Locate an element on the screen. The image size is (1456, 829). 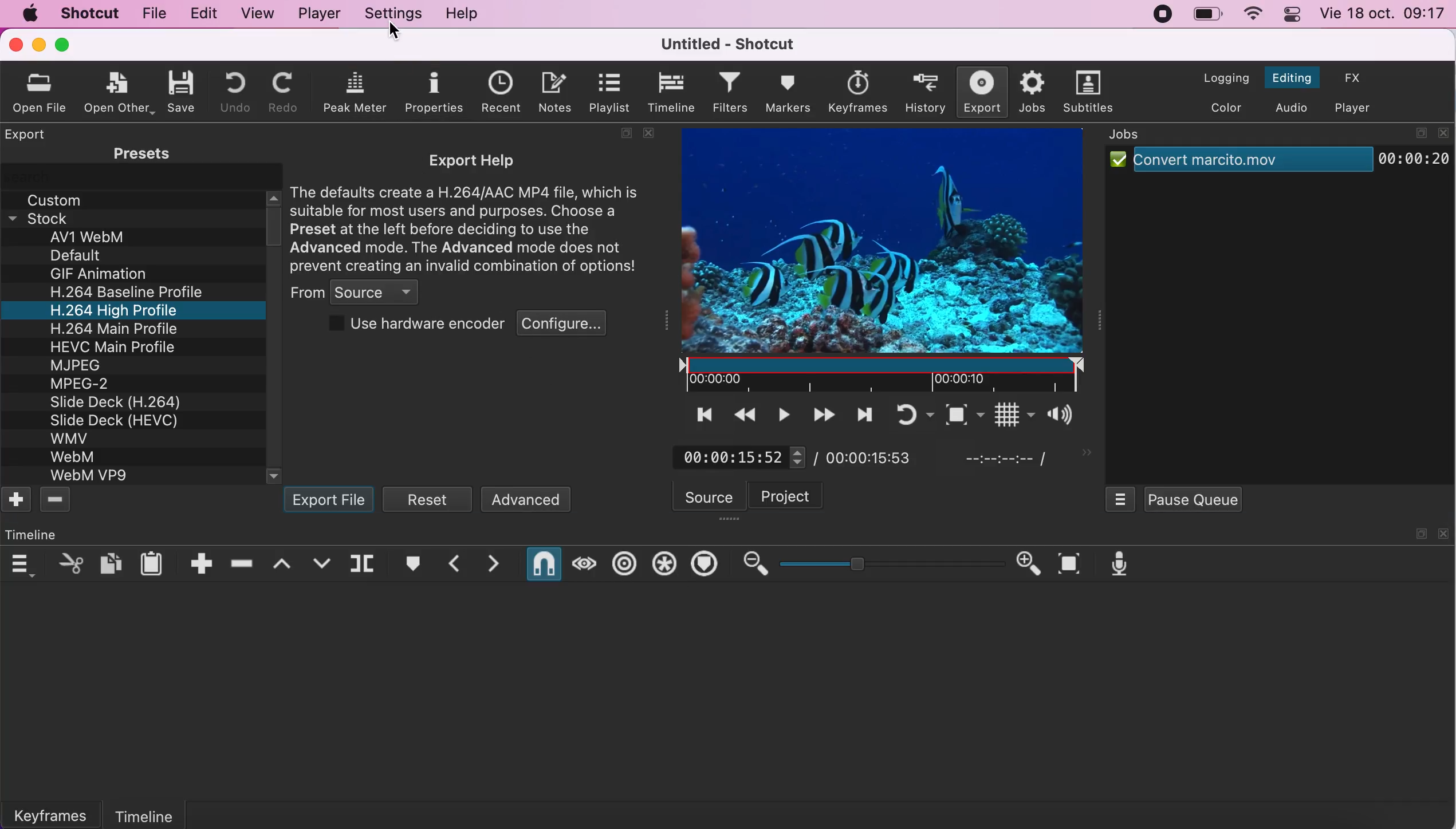
advanced is located at coordinates (529, 499).